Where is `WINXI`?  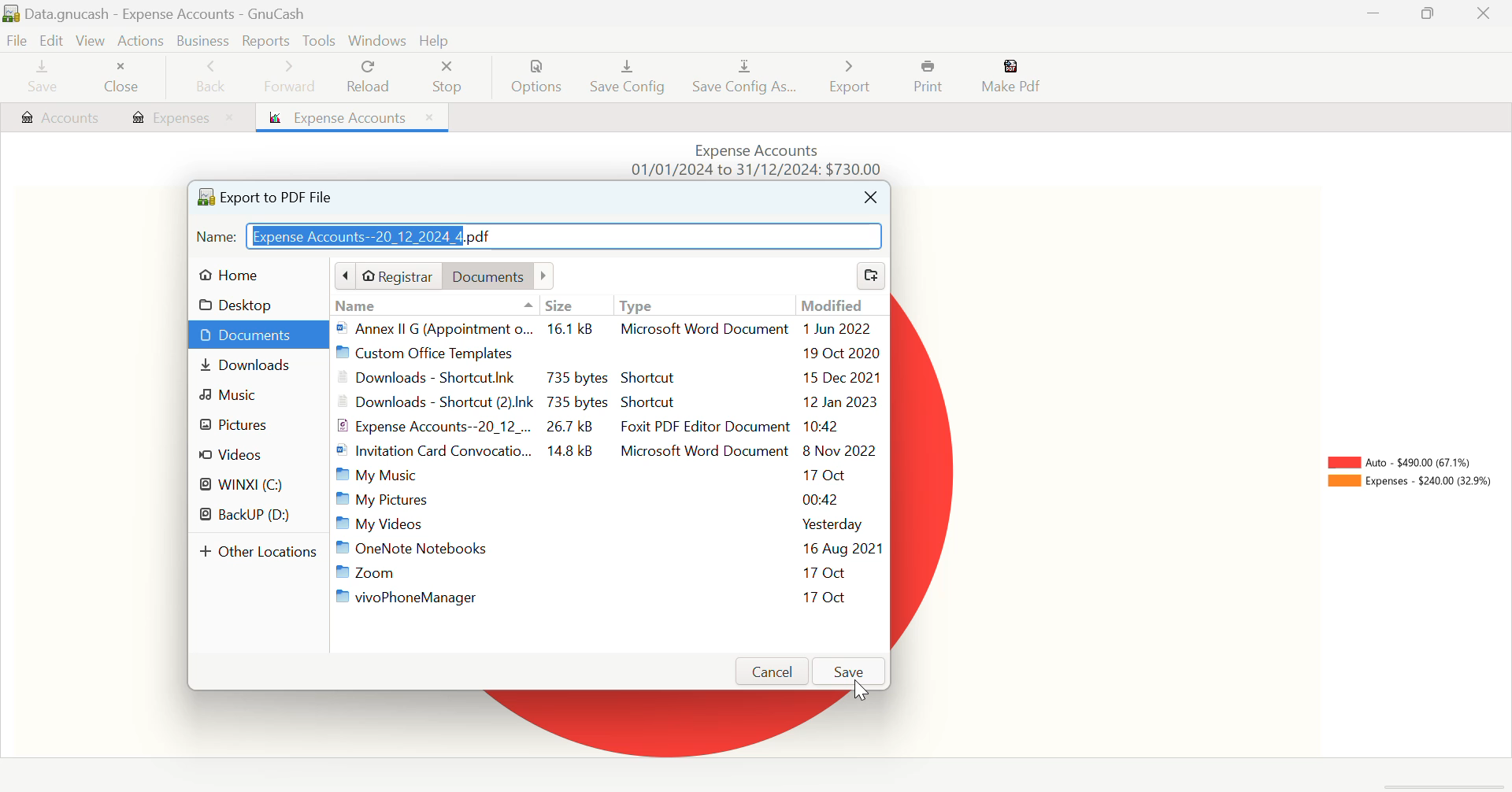
WINXI is located at coordinates (249, 485).